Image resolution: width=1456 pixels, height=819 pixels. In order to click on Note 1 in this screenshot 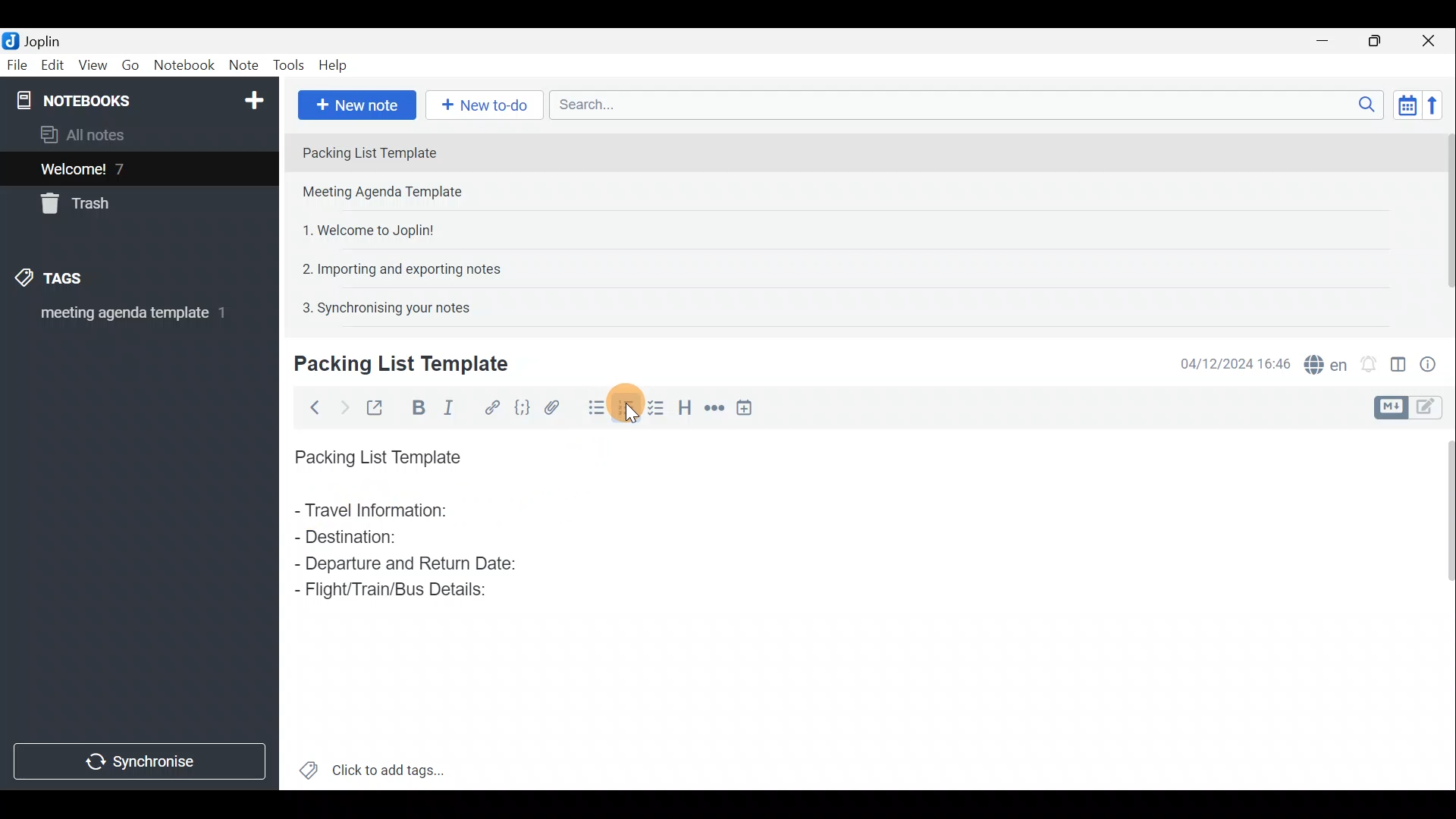, I will do `click(424, 151)`.